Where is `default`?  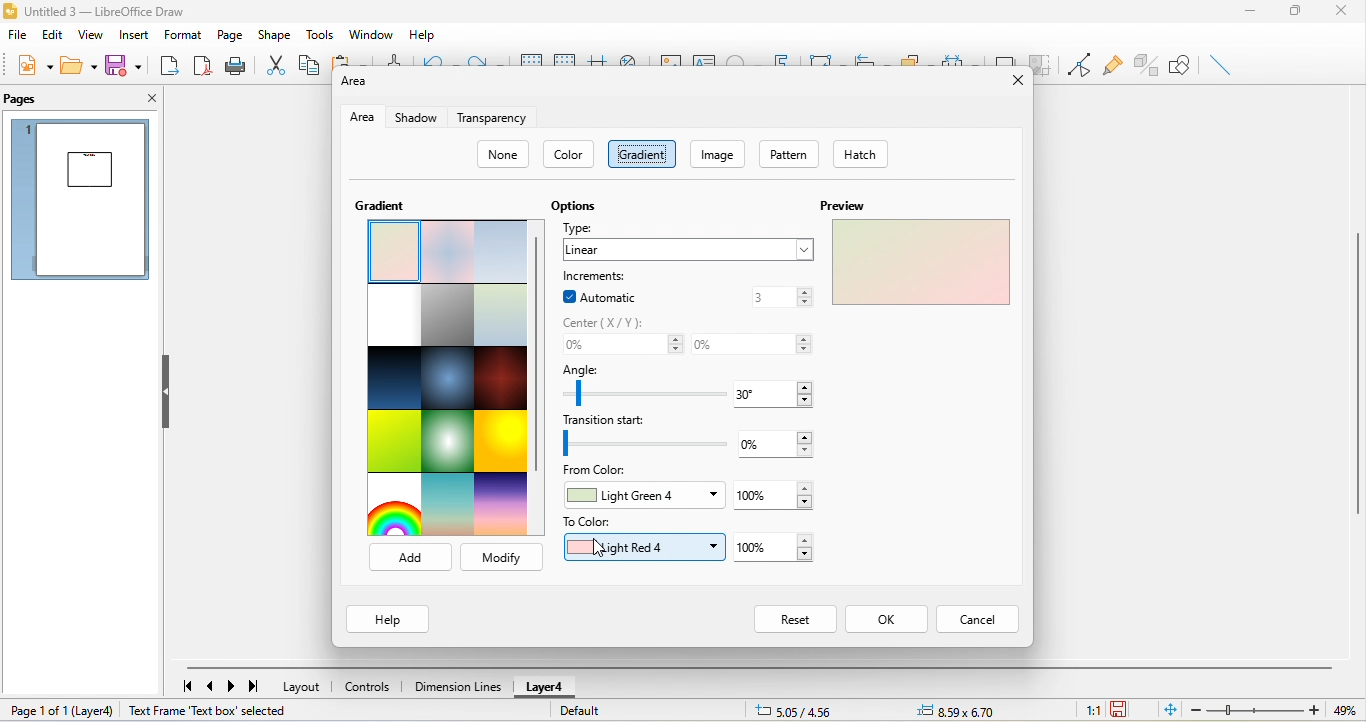
default is located at coordinates (606, 714).